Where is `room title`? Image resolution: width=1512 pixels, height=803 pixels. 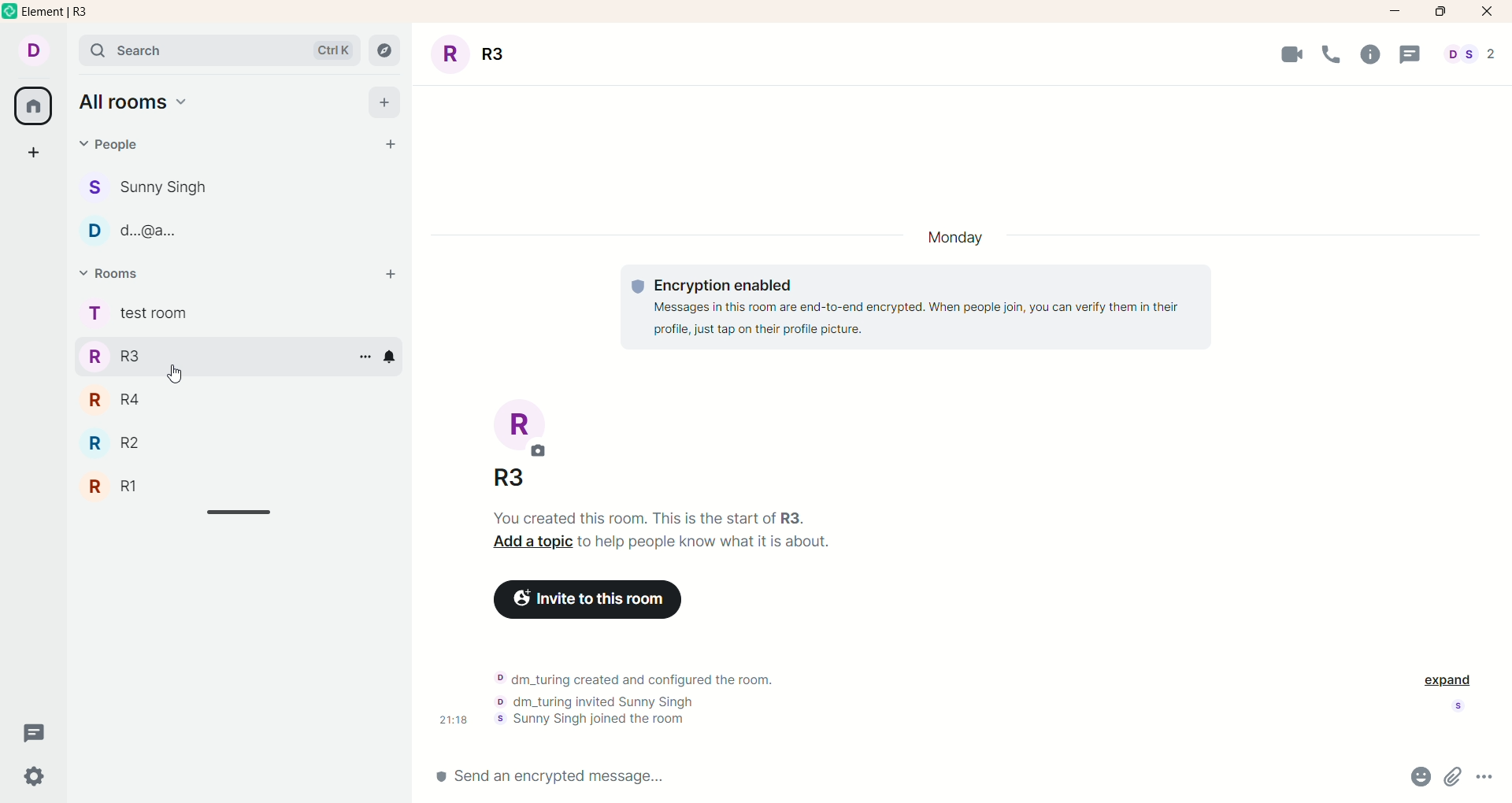 room title is located at coordinates (476, 50).